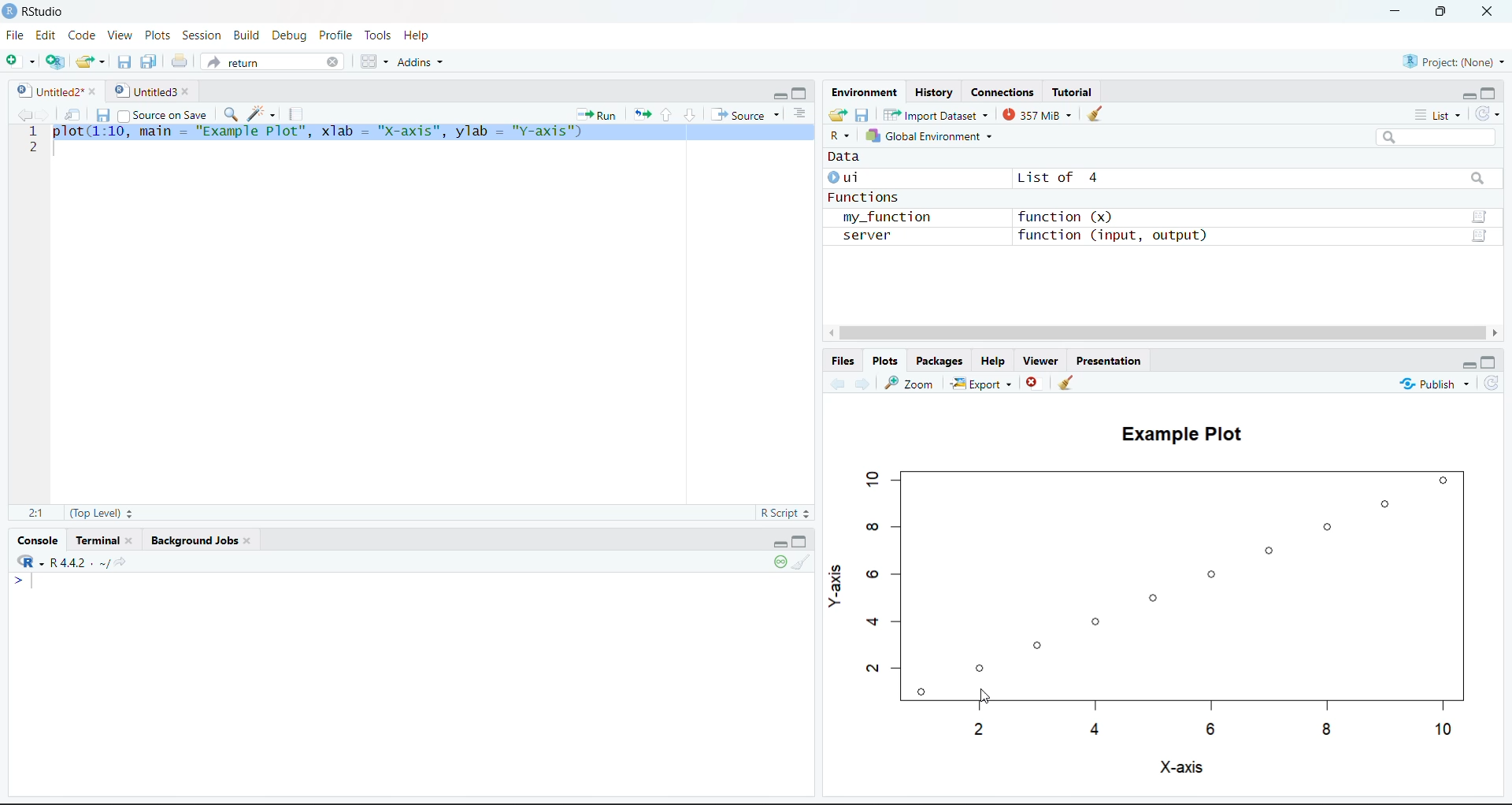 The width and height of the screenshot is (1512, 805). Describe the element at coordinates (1018, 218) in the screenshot. I see `Functions
my_function function (x)
server function (input, output)` at that location.